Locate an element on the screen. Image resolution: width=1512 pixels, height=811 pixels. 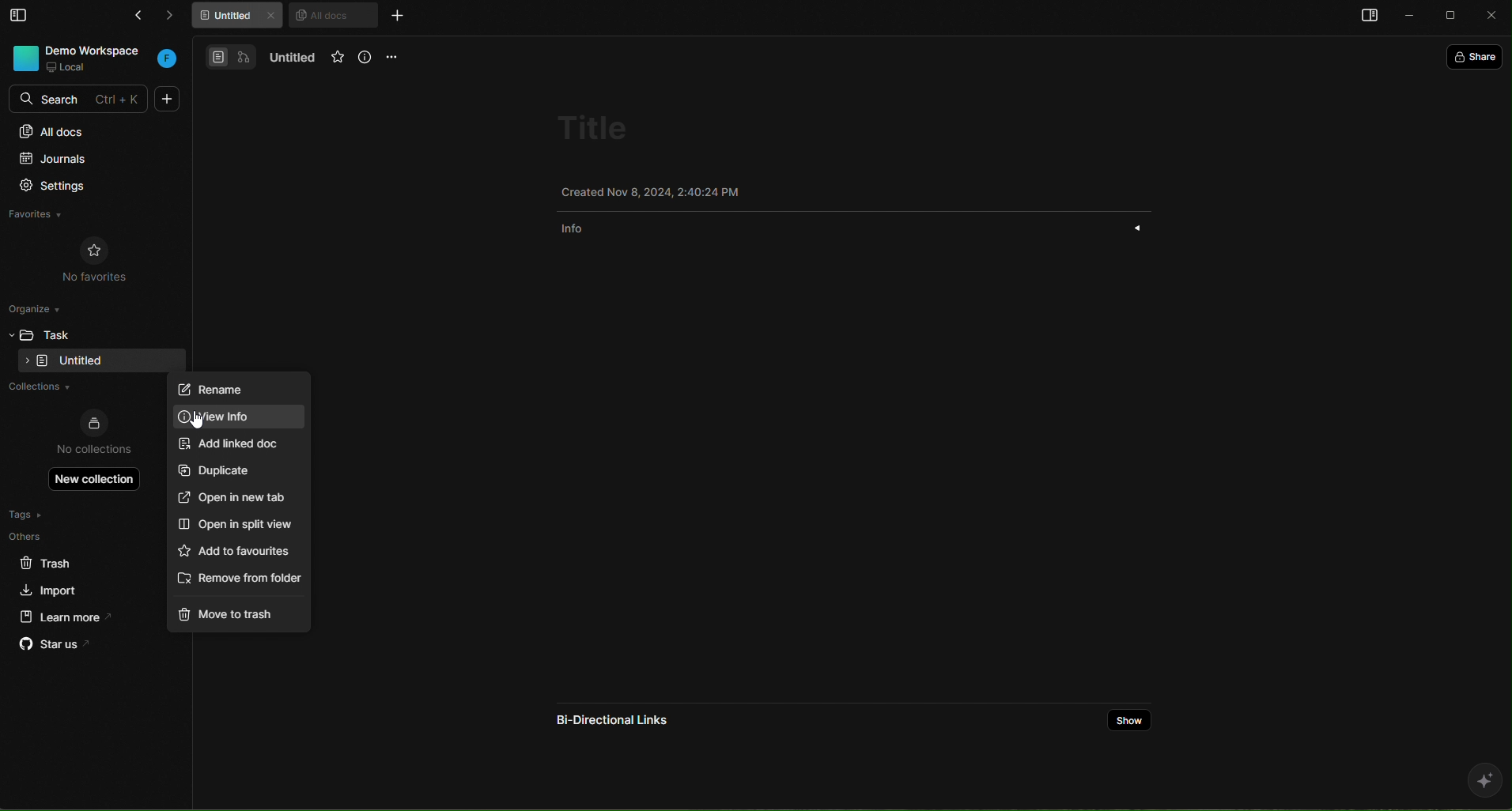
share is located at coordinates (1478, 55).